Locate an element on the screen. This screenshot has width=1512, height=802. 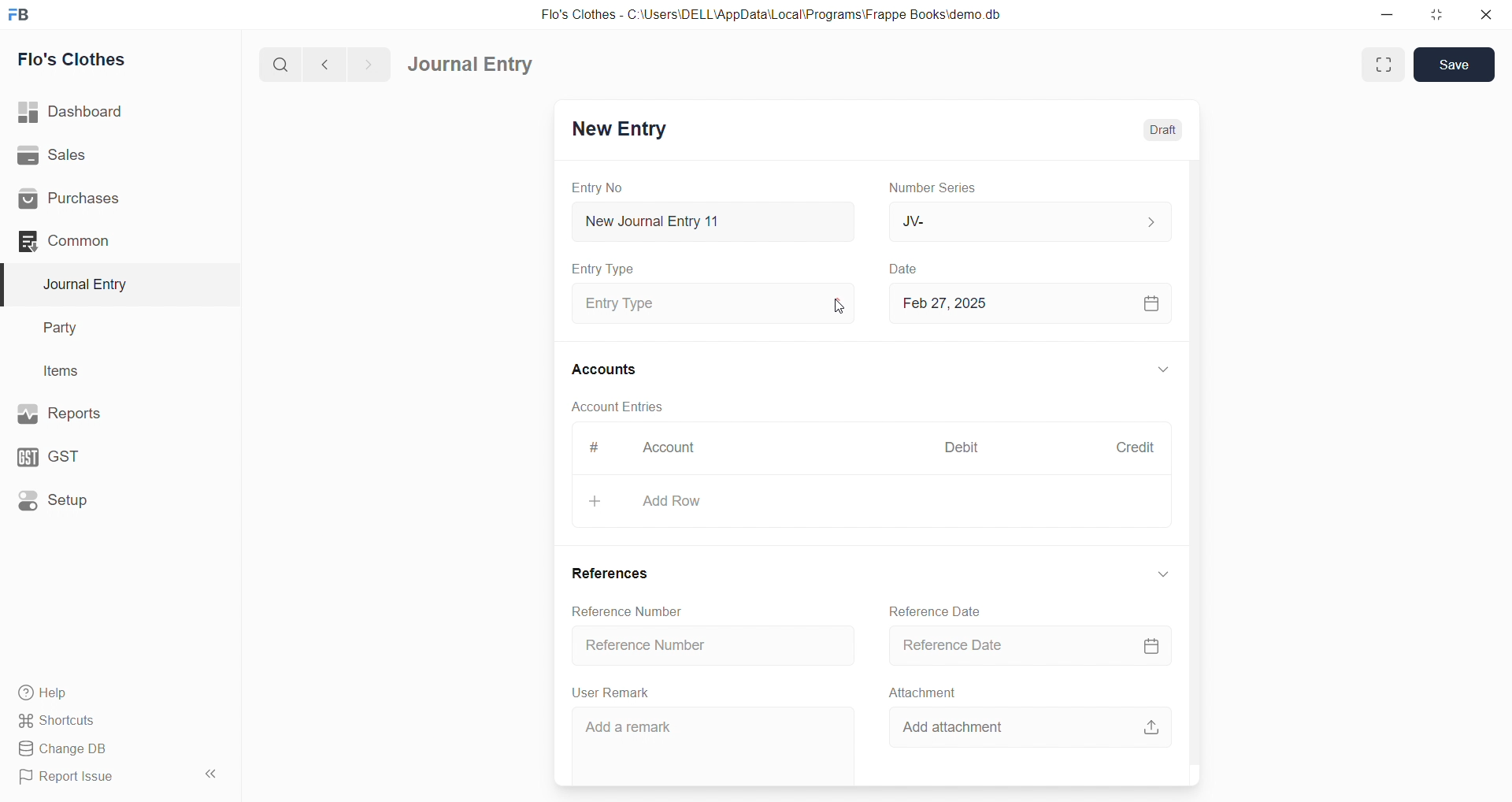
GST is located at coordinates (86, 457).